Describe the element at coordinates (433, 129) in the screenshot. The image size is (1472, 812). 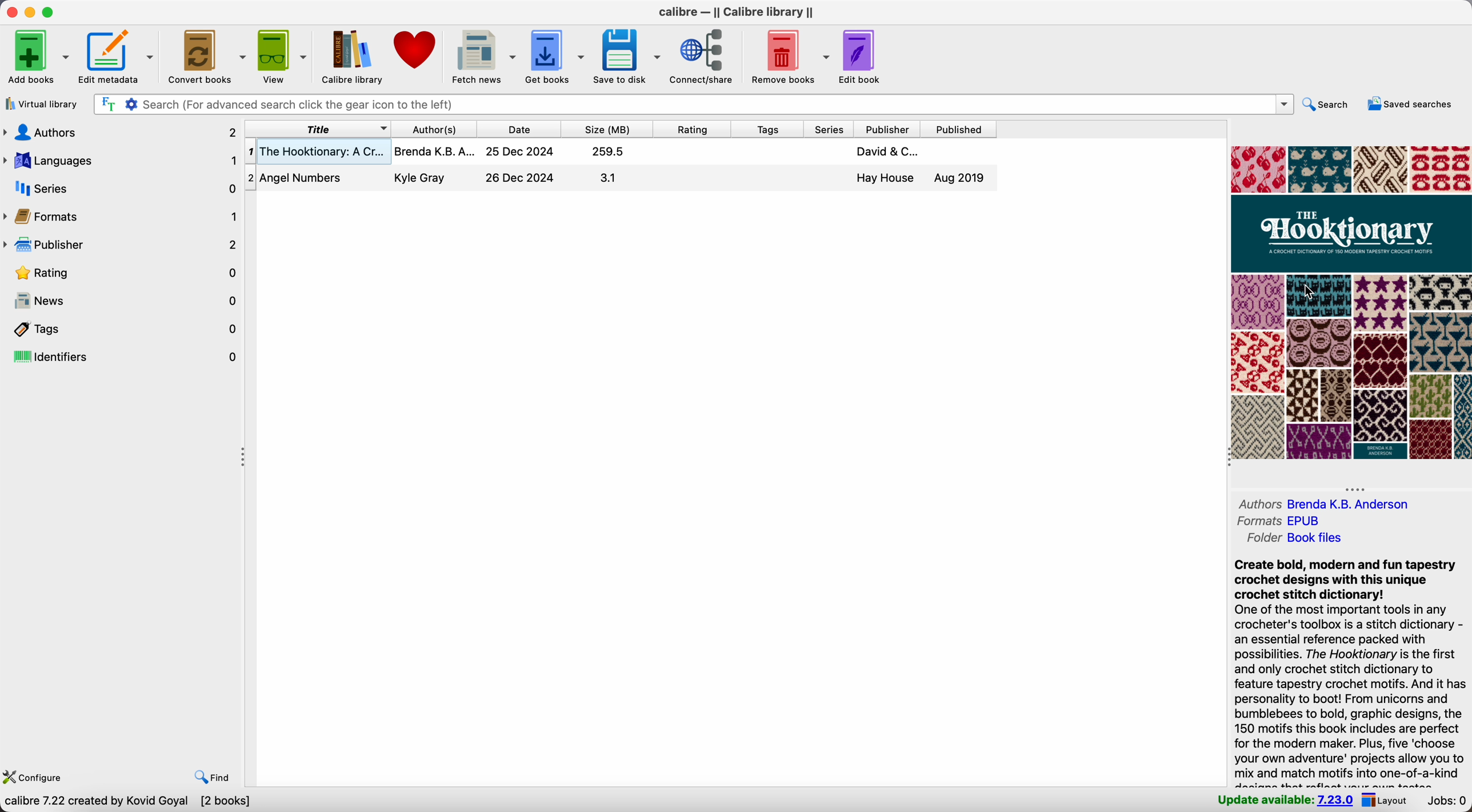
I see `author(s)` at that location.